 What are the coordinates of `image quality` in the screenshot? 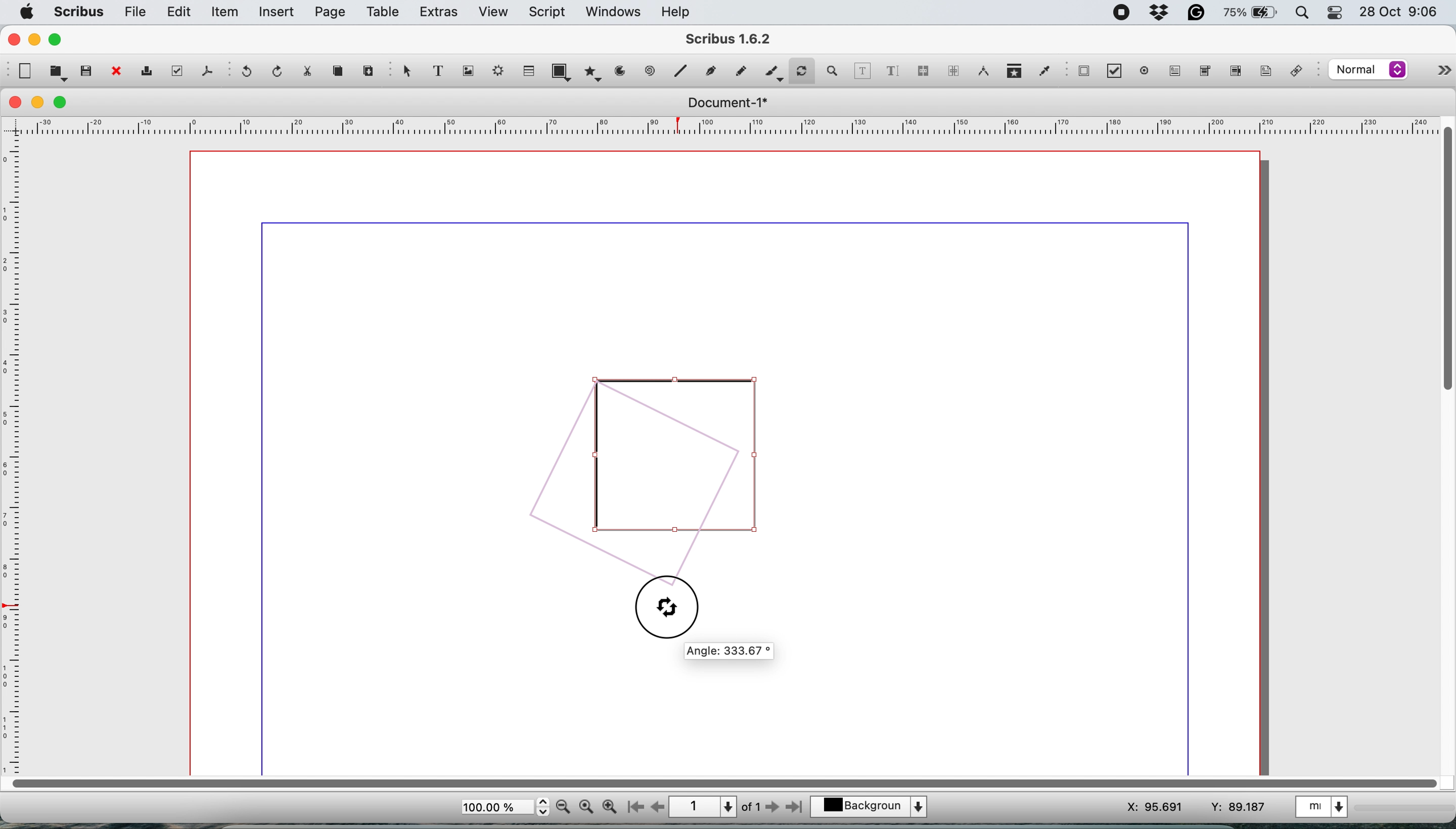 It's located at (1368, 71).